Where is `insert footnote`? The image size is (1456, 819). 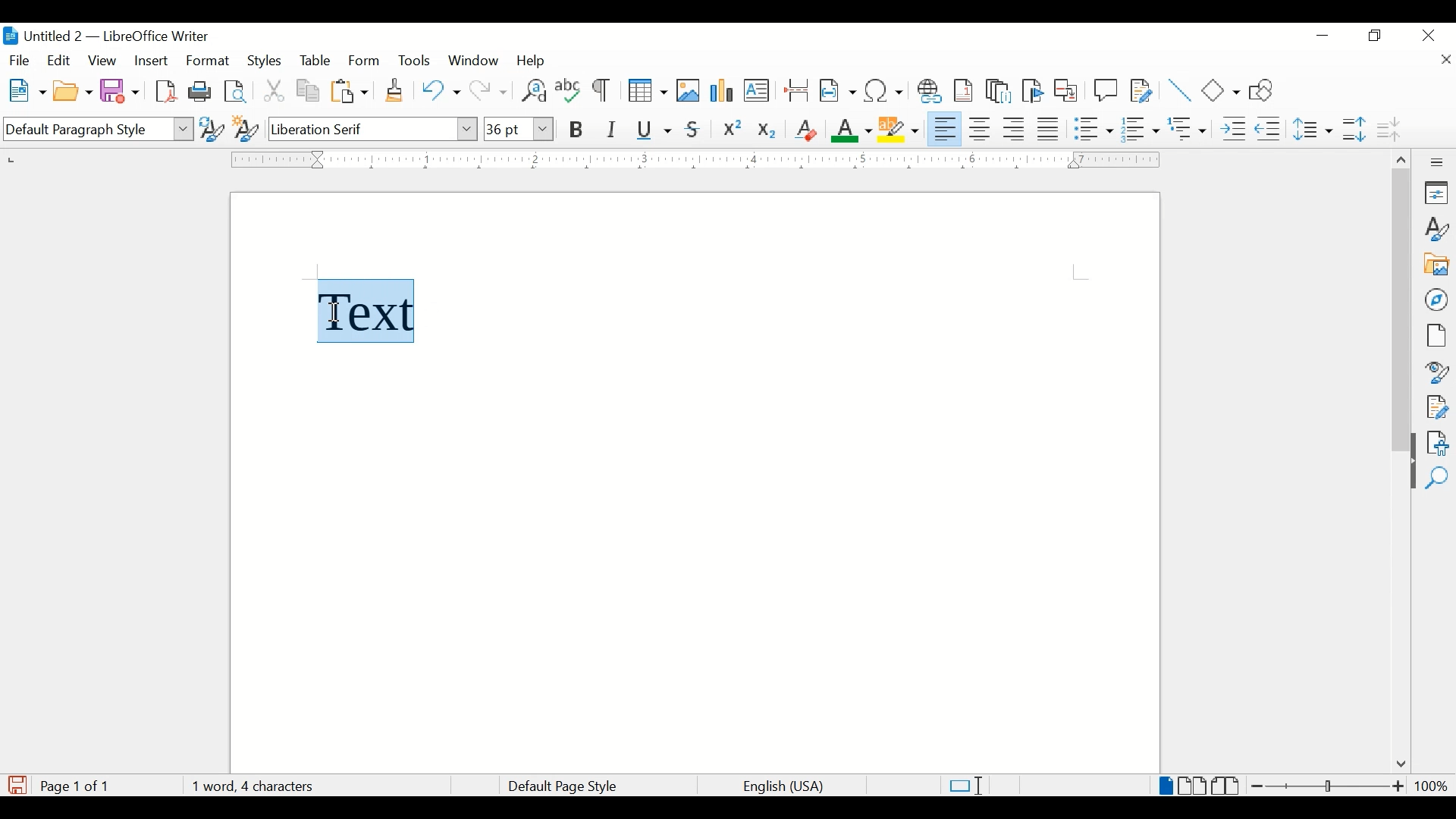
insert footnote is located at coordinates (966, 90).